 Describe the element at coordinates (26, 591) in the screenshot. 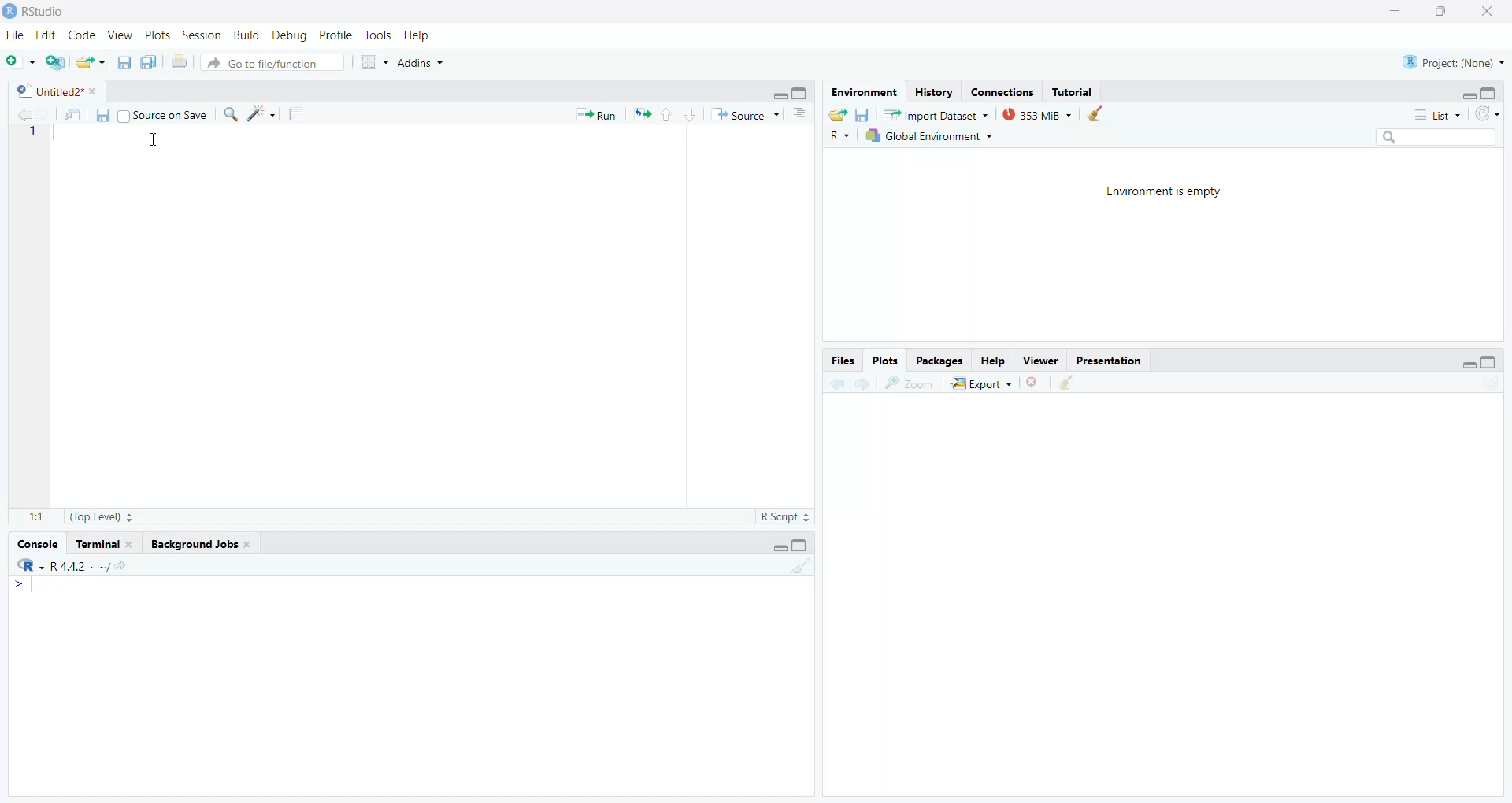

I see `typing cursor` at that location.